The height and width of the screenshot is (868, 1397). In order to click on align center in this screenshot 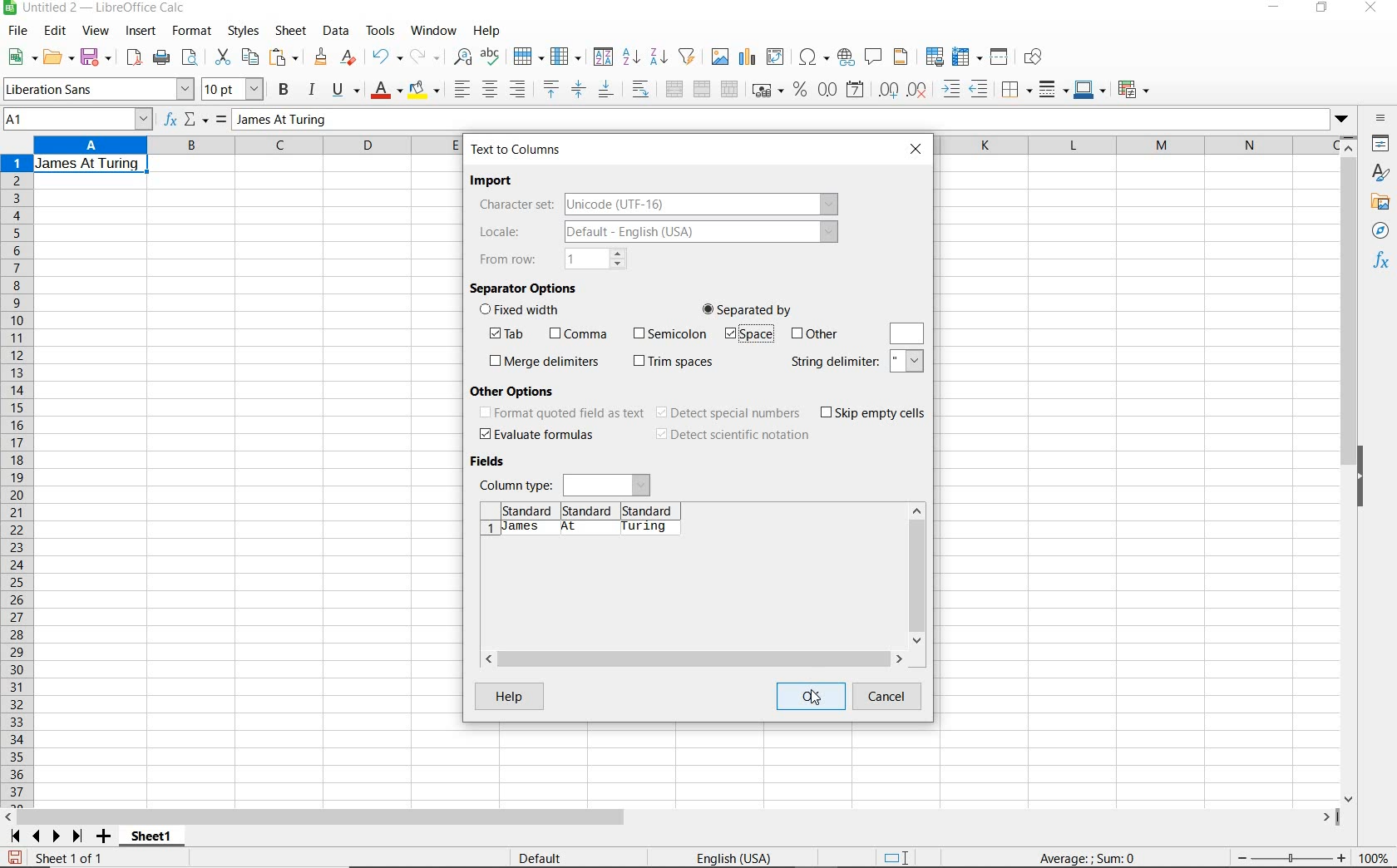, I will do `click(489, 89)`.